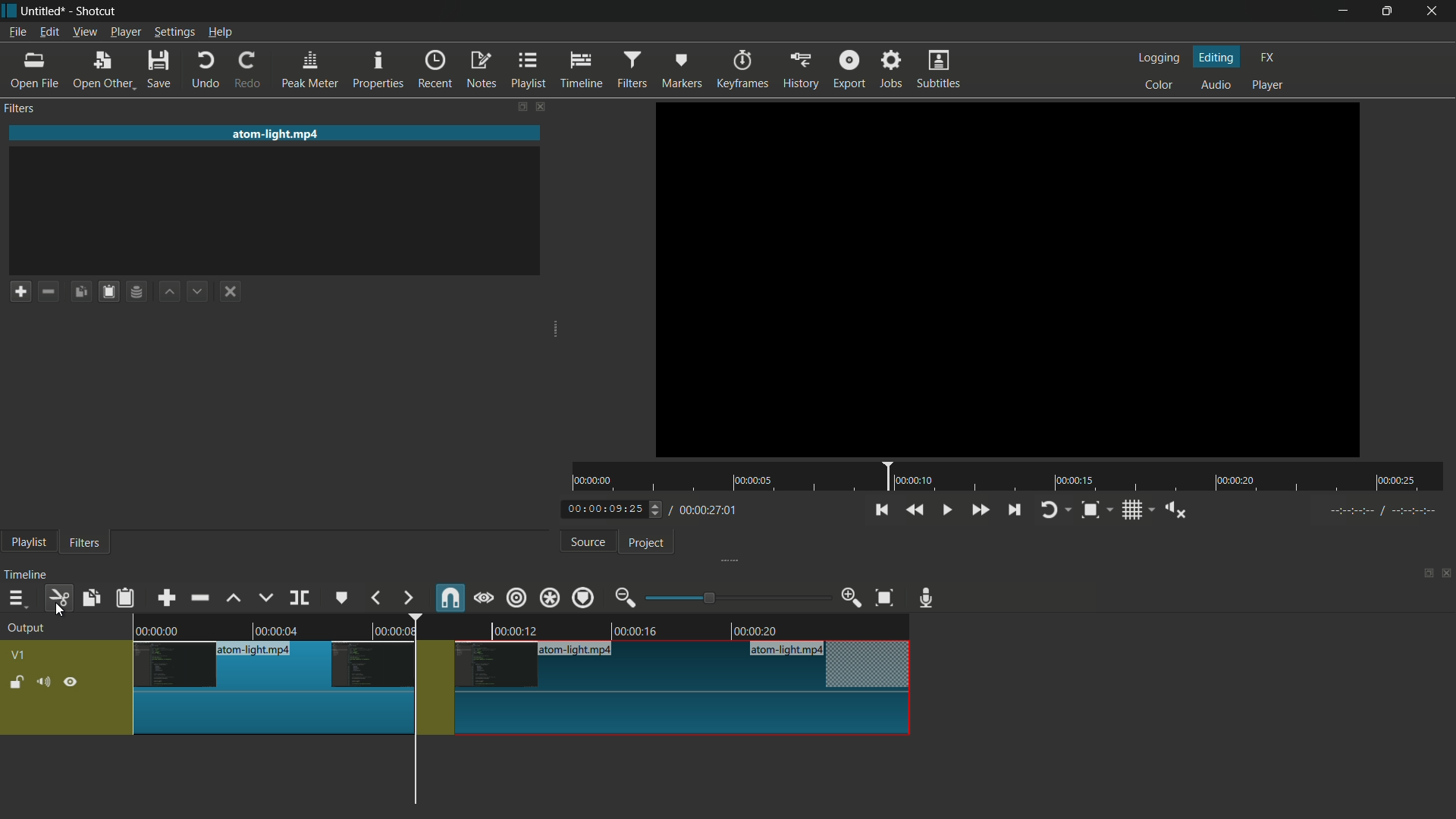 The height and width of the screenshot is (819, 1456). I want to click on cursor, so click(58, 610).